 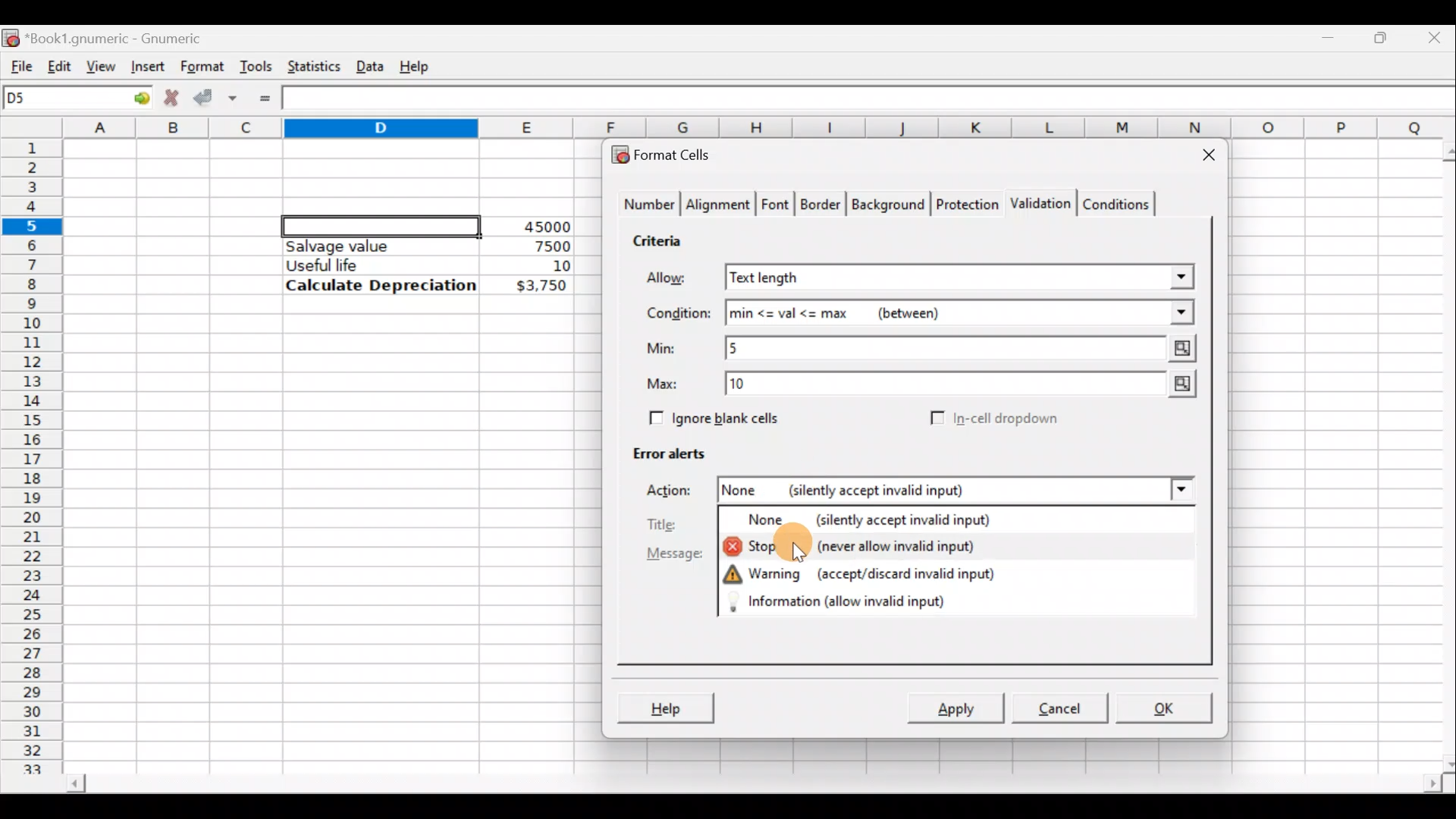 What do you see at coordinates (868, 544) in the screenshot?
I see `Stop (never allow invalid input)` at bounding box center [868, 544].